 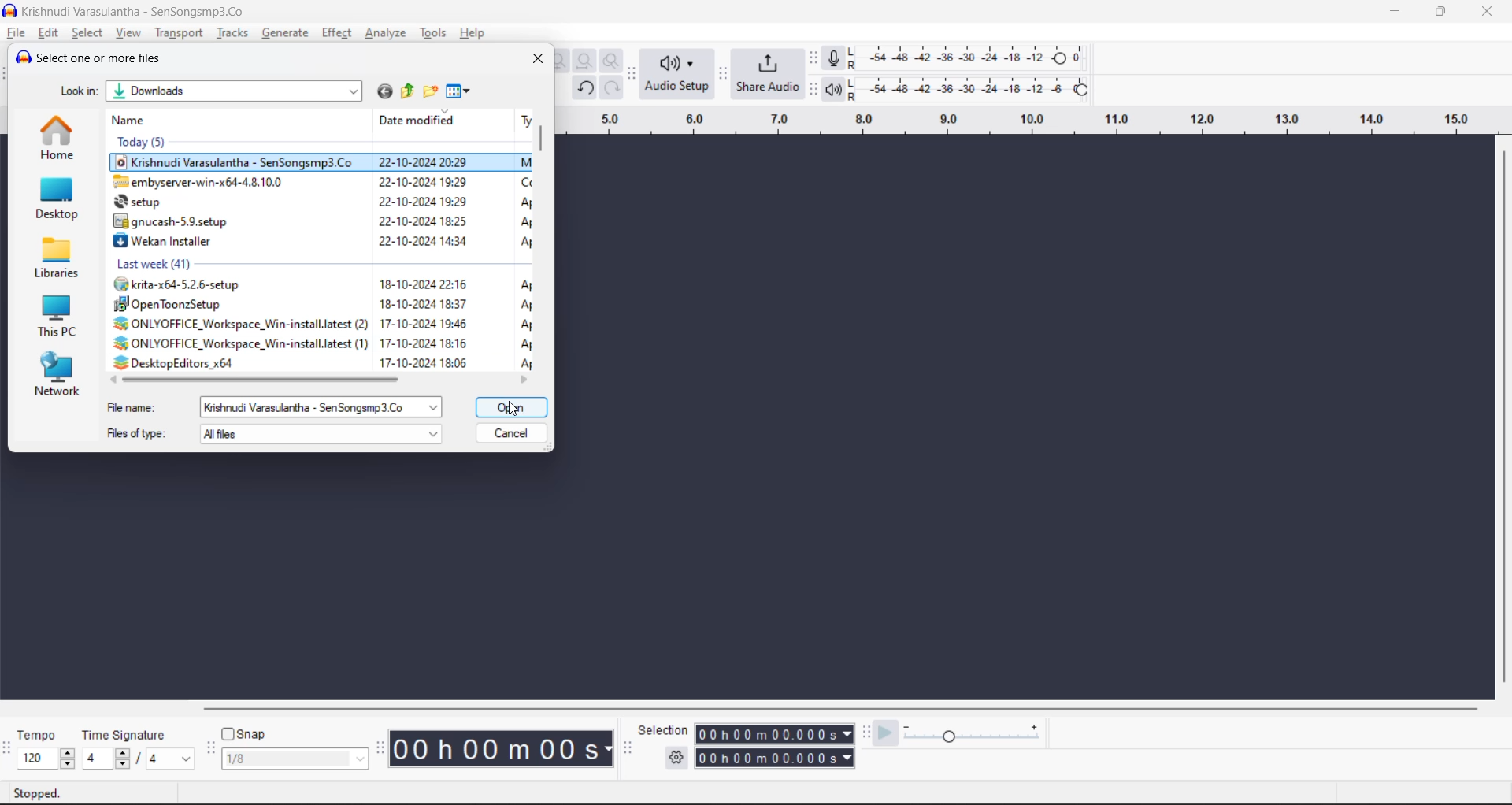 What do you see at coordinates (321, 181) in the screenshot?
I see `Z embyserver-win-x64-4.8.10.0 22-10-2024 19:29 Ce` at bounding box center [321, 181].